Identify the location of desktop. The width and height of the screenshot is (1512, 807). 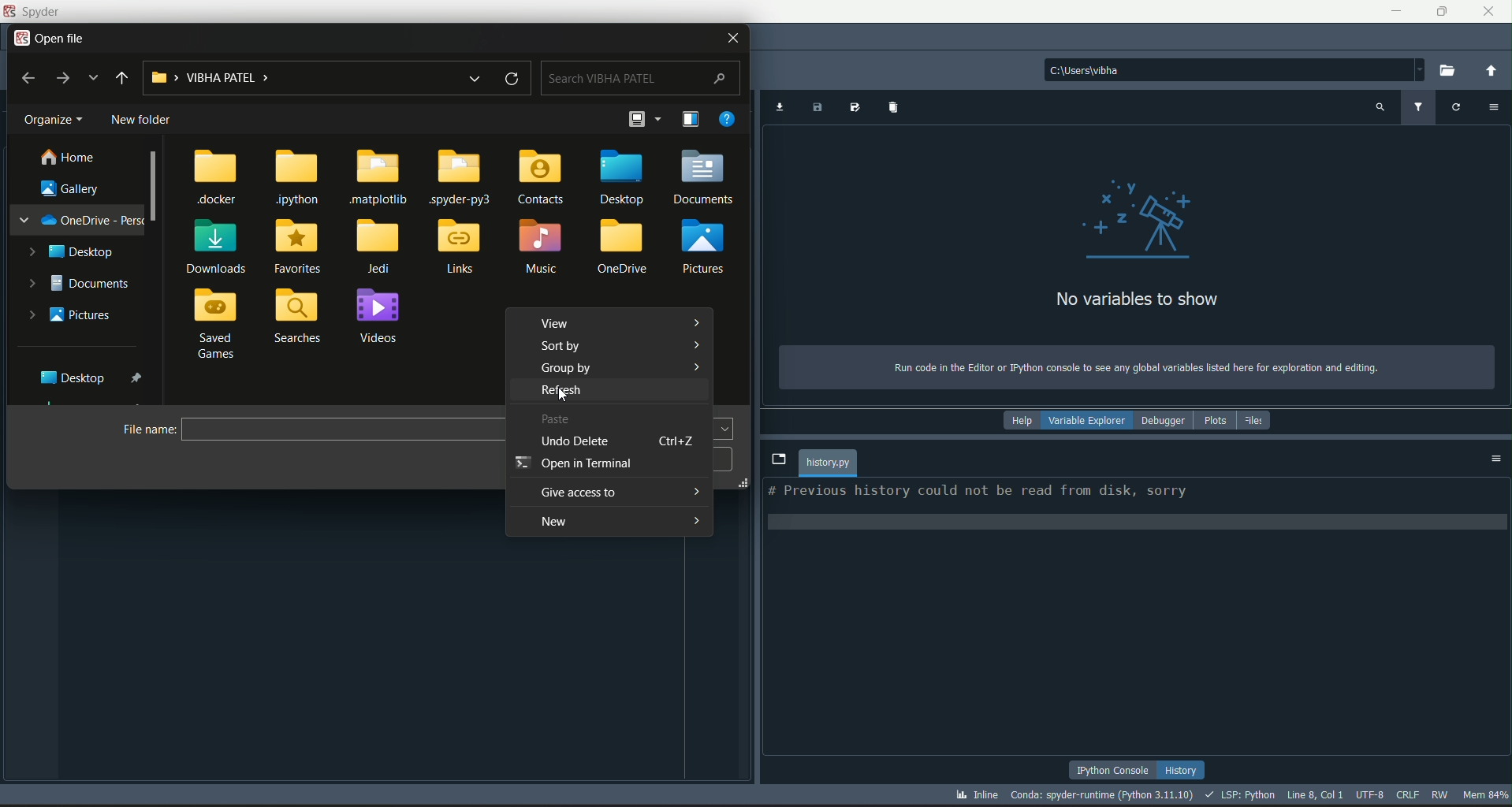
(94, 377).